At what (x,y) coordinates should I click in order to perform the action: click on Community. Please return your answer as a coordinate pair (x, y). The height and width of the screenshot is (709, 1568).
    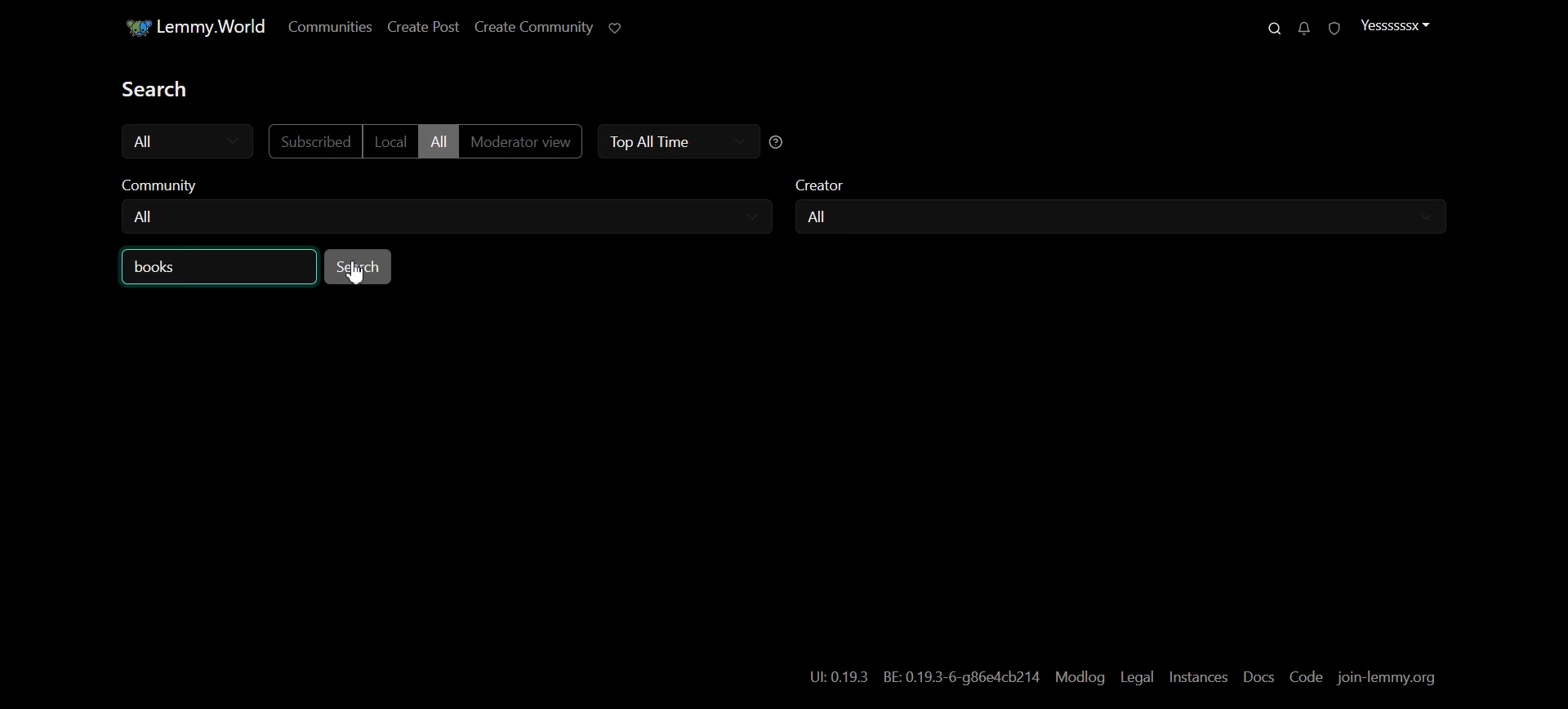
    Looking at the image, I should click on (443, 216).